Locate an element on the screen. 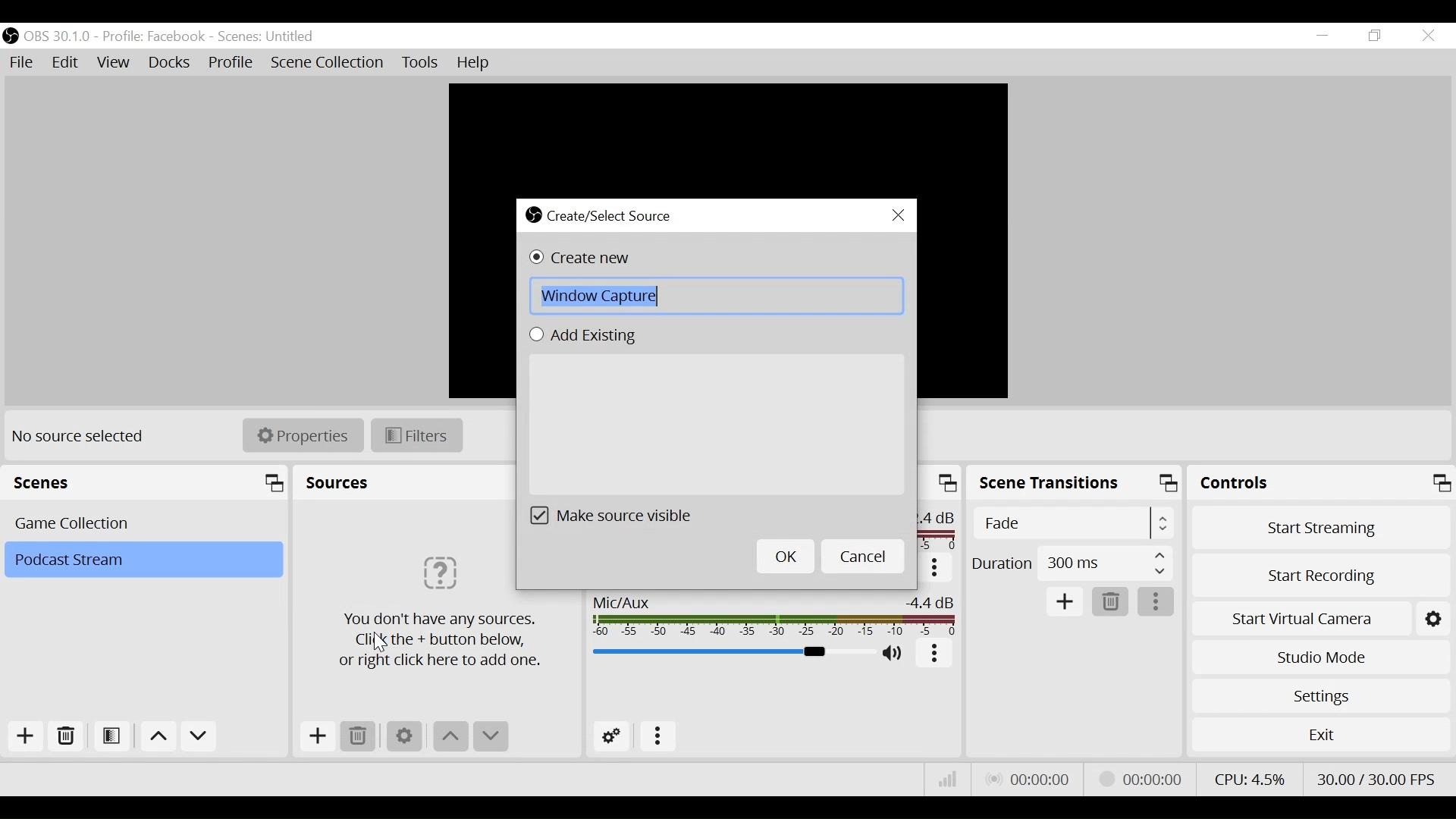 This screenshot has width=1456, height=819. Open Scene Filter is located at coordinates (111, 736).